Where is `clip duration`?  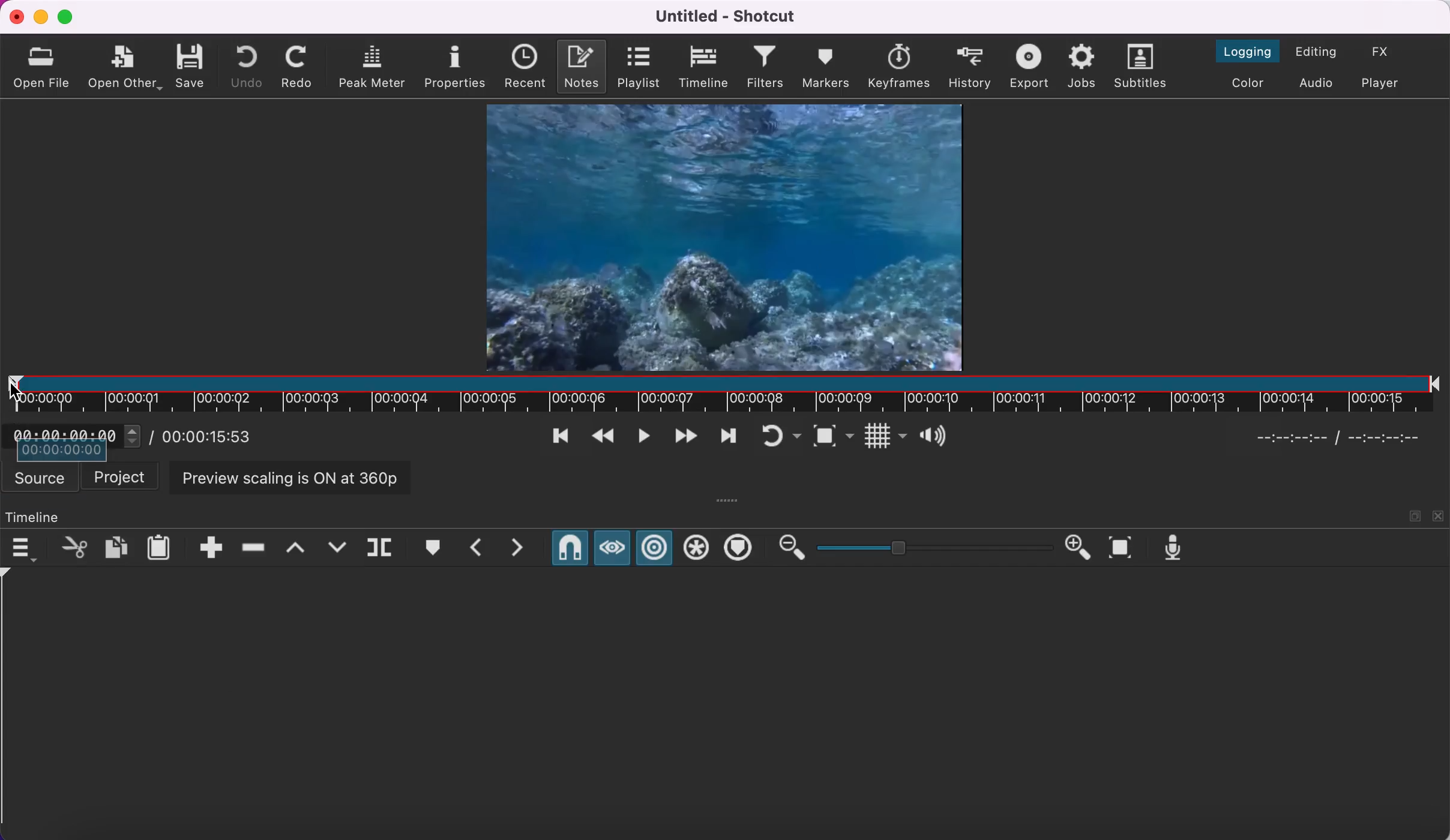 clip duration is located at coordinates (725, 397).